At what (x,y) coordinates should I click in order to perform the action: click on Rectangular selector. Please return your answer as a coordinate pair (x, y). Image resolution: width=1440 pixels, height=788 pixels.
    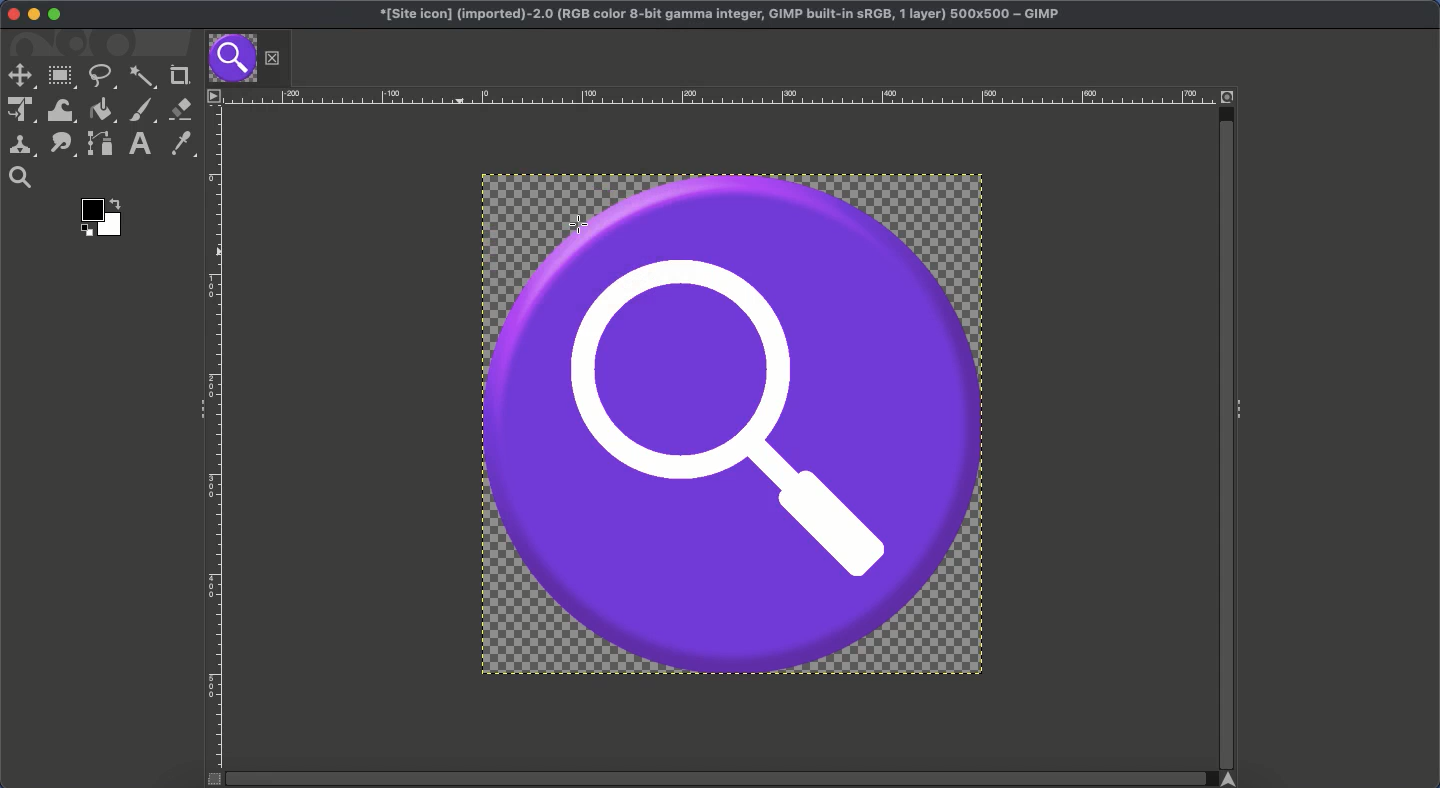
    Looking at the image, I should click on (61, 79).